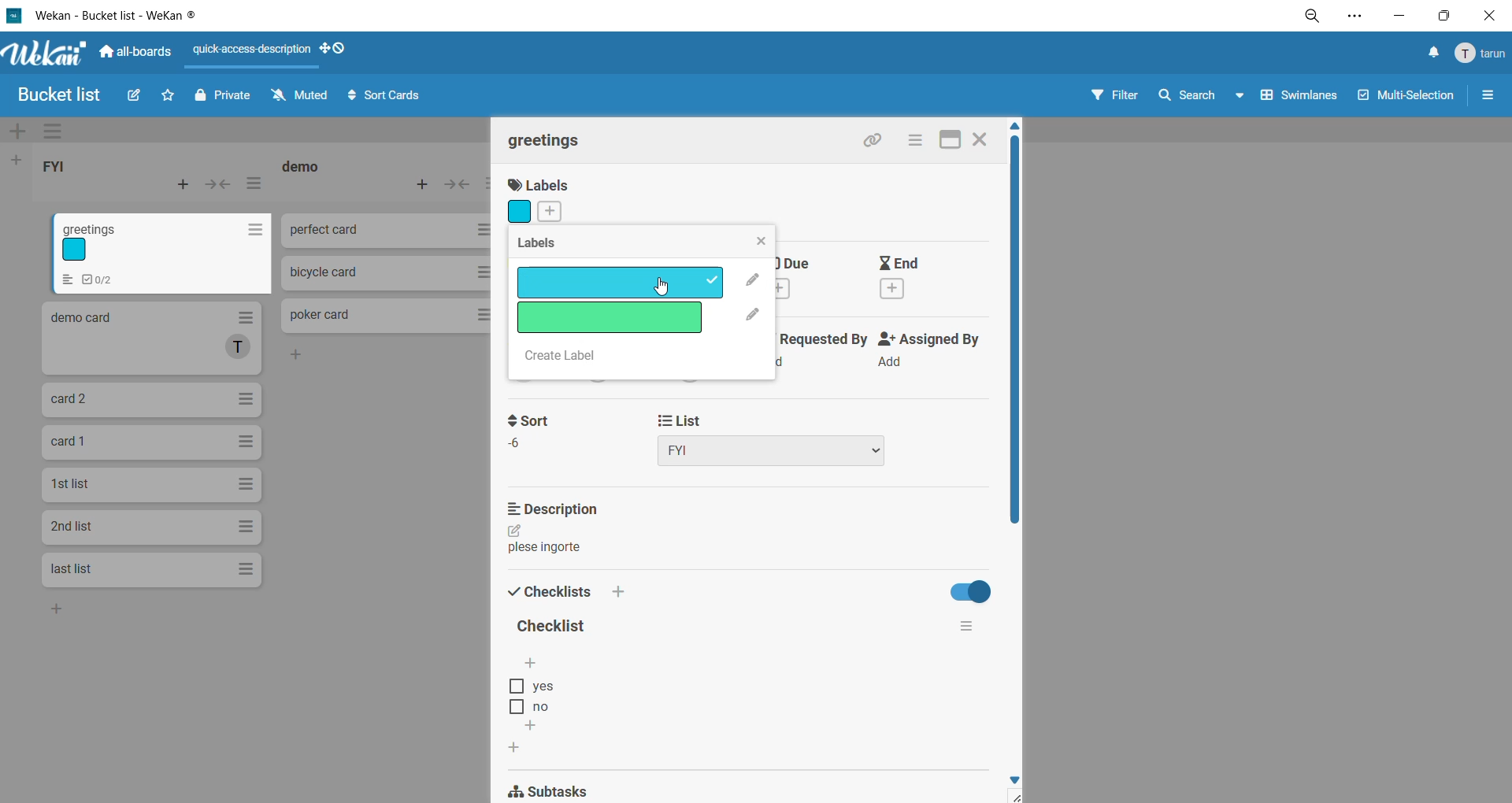  What do you see at coordinates (567, 788) in the screenshot?
I see `subtasks` at bounding box center [567, 788].